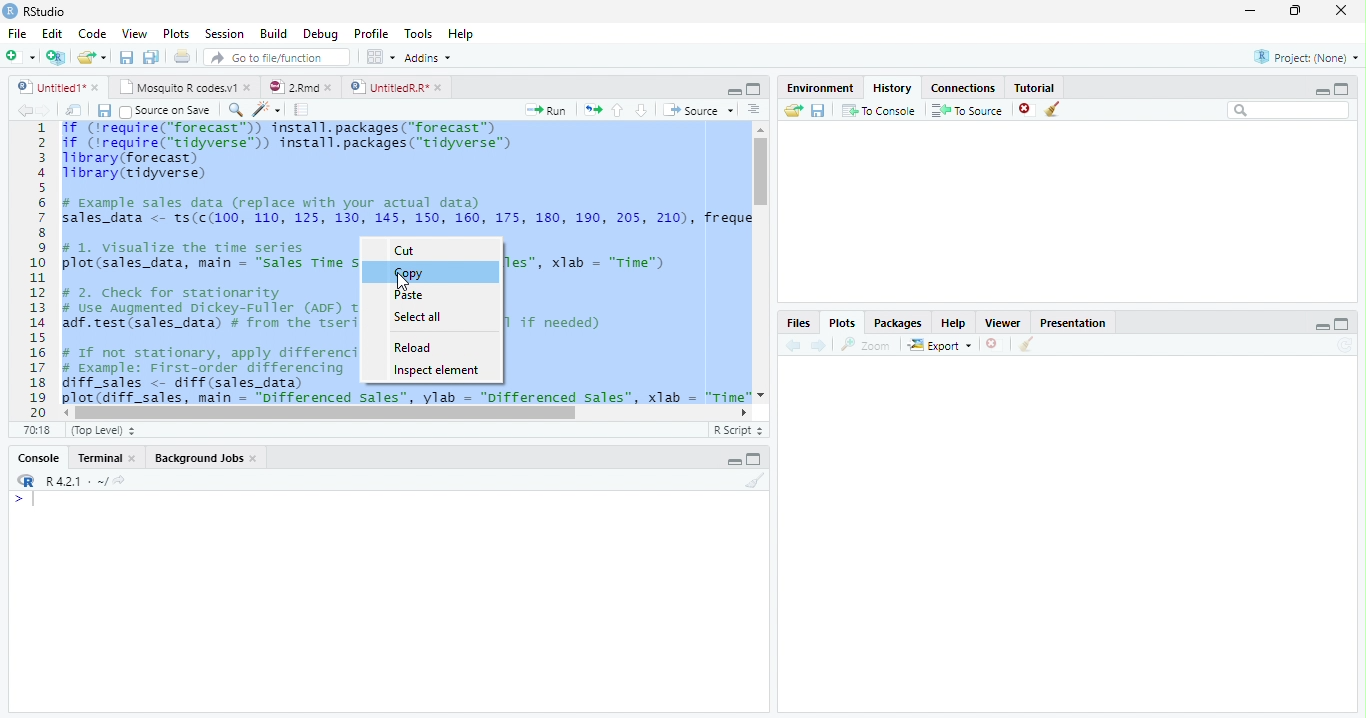  Describe the element at coordinates (699, 110) in the screenshot. I see `Source` at that location.